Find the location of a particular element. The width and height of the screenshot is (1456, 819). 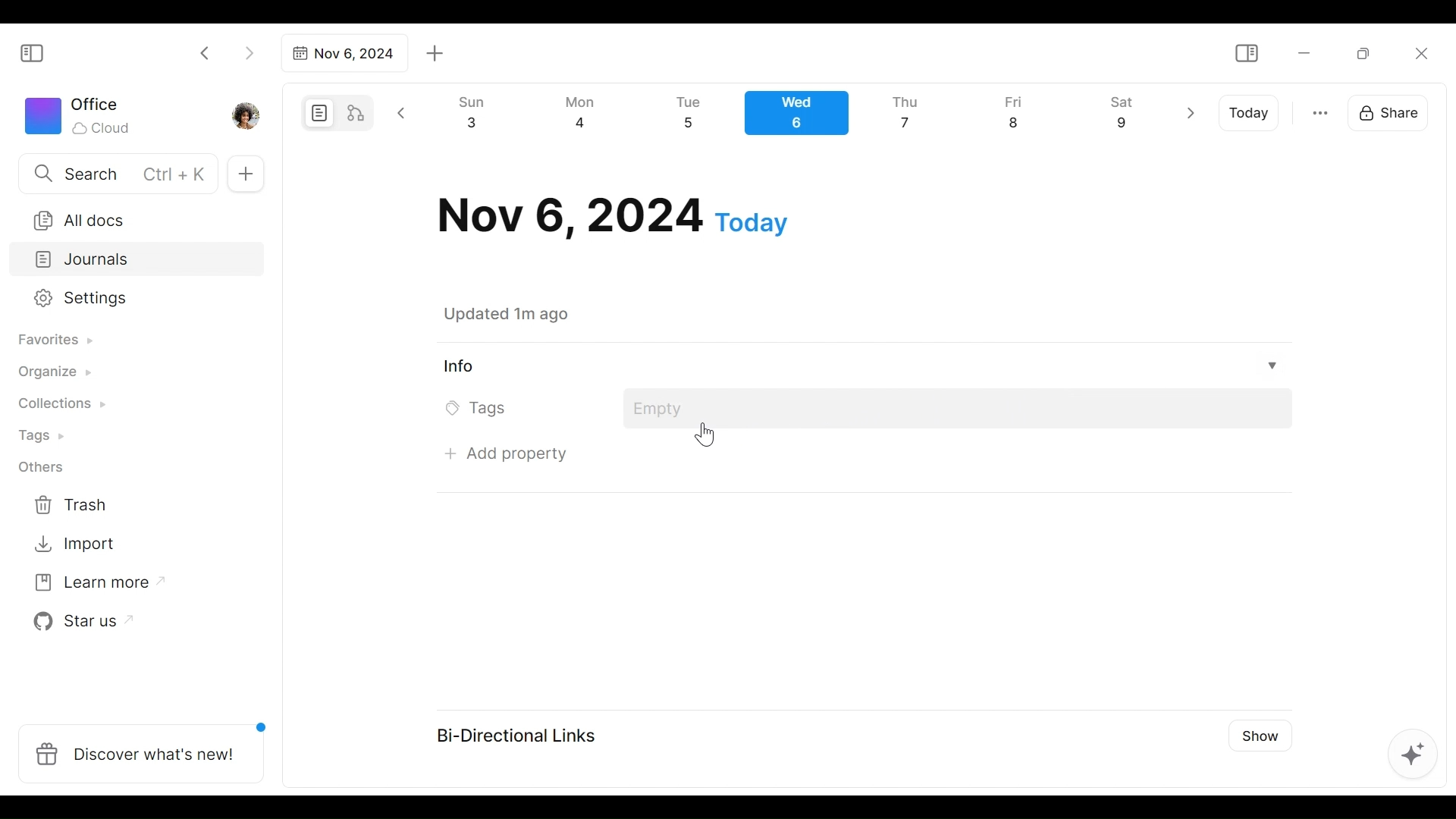

Journals is located at coordinates (138, 261).